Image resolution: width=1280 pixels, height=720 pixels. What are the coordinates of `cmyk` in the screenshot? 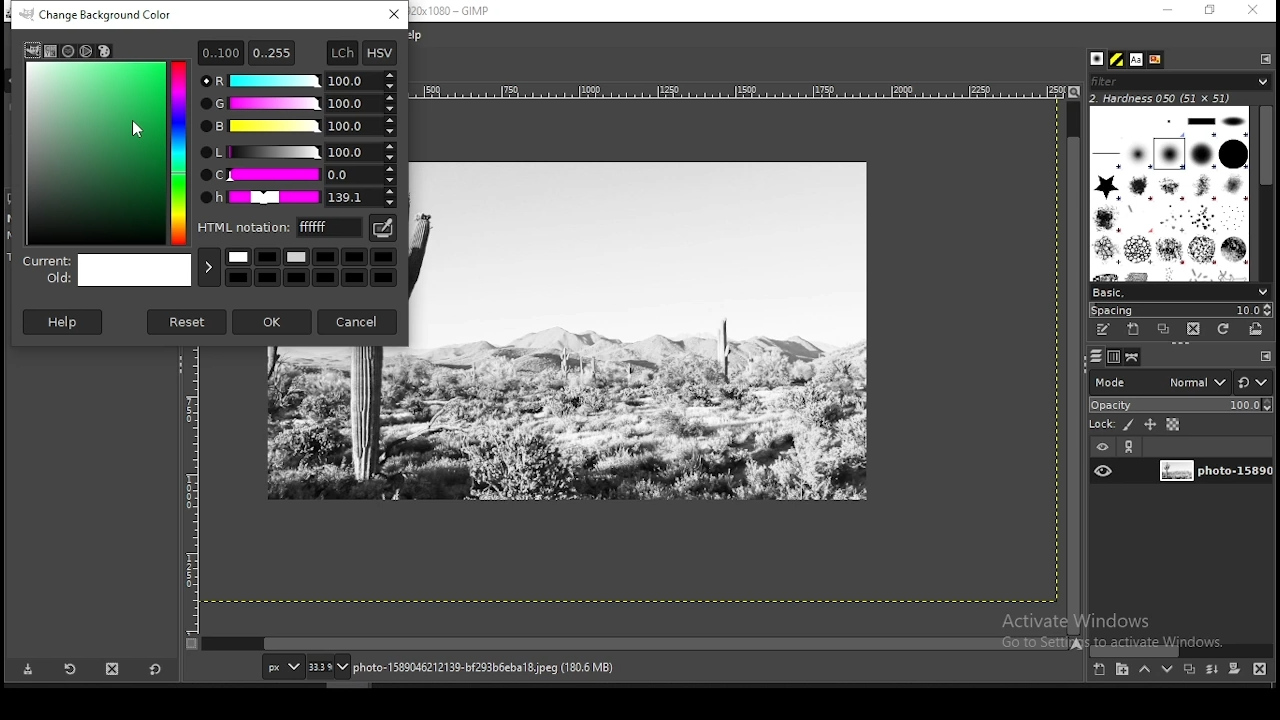 It's located at (52, 52).